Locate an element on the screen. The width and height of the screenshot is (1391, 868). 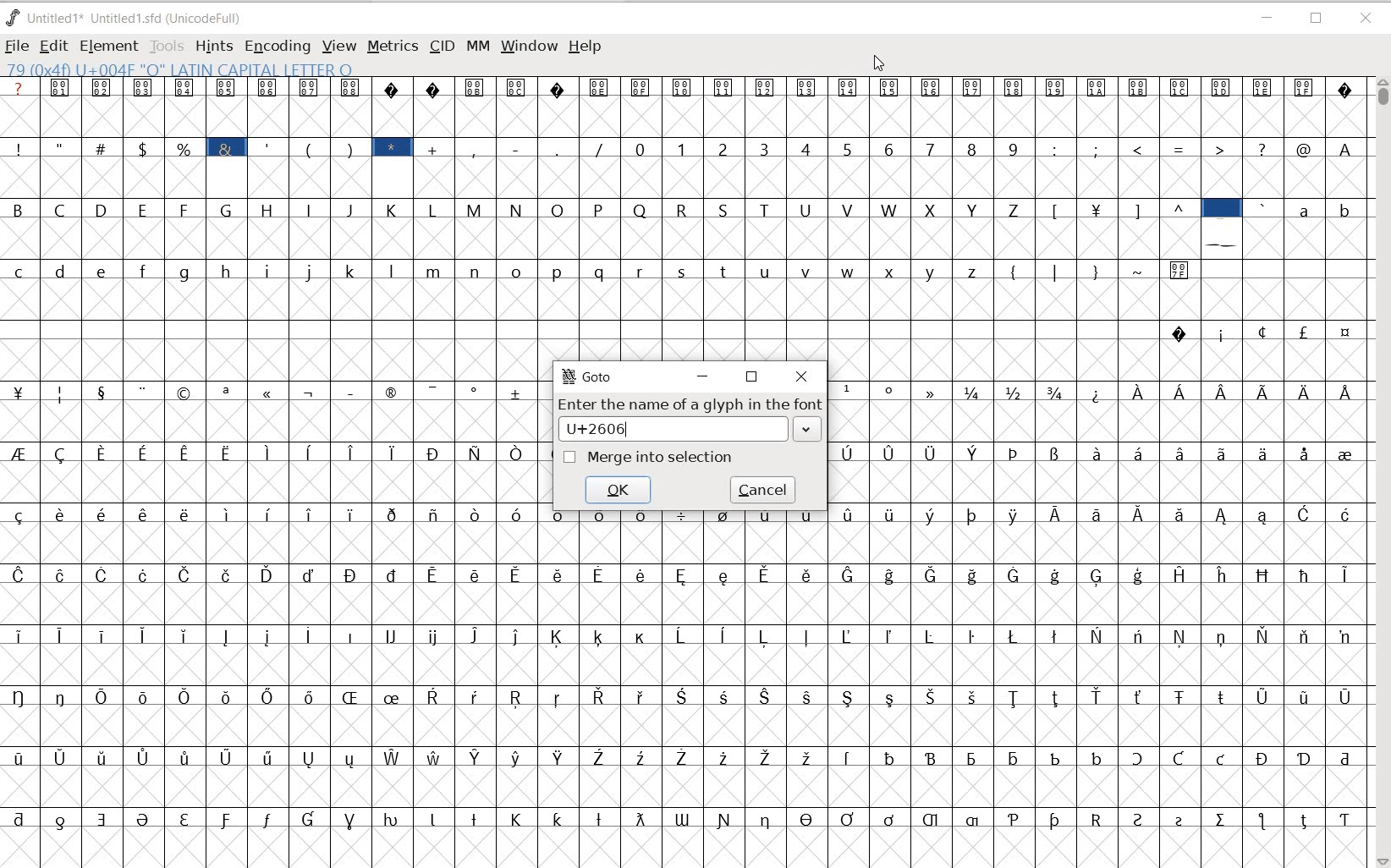
merge into selection is located at coordinates (649, 456).